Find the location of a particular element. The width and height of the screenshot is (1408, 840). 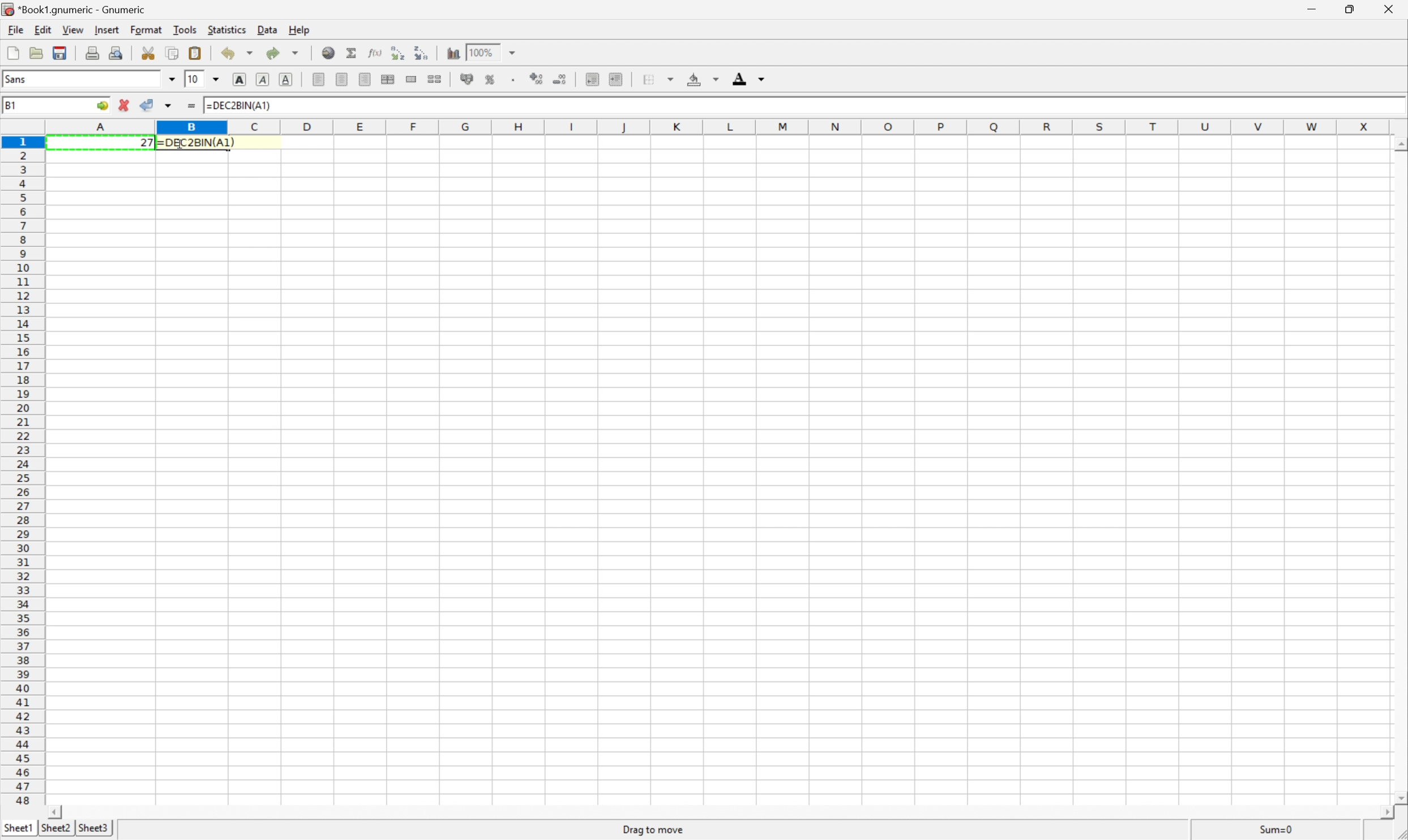

Center horizontally is located at coordinates (340, 78).